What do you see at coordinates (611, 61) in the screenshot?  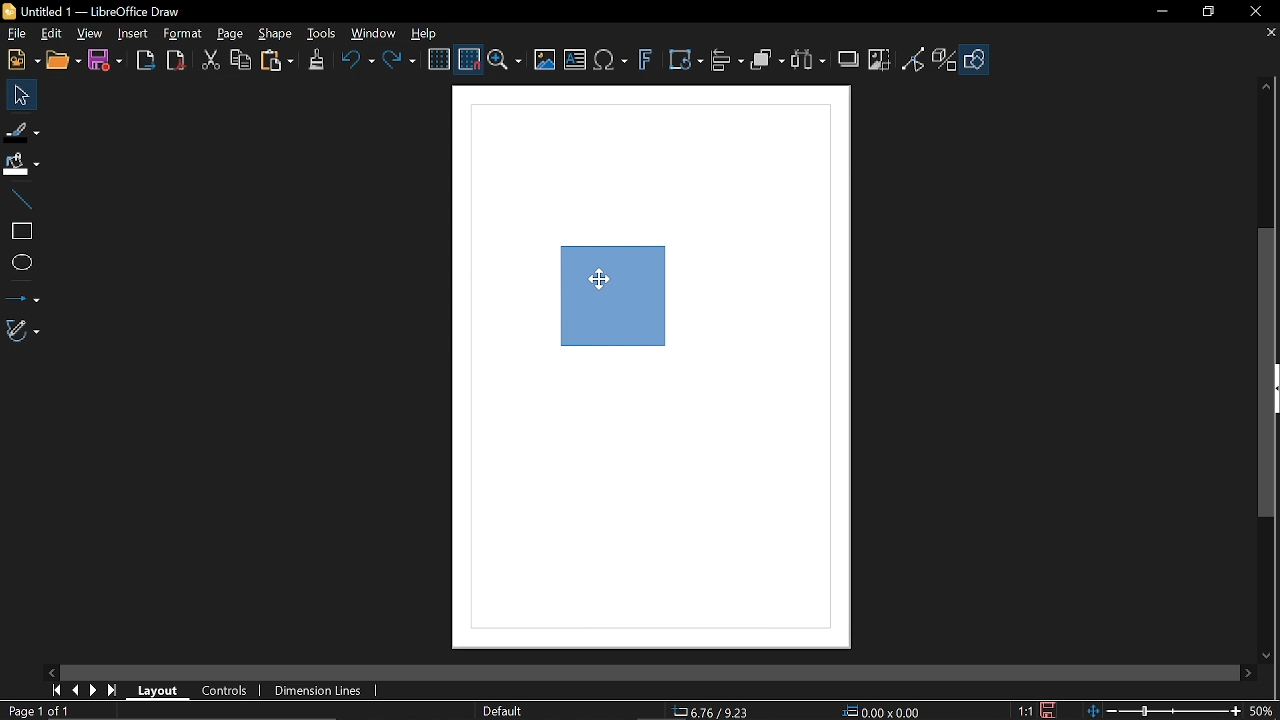 I see `Insert equation` at bounding box center [611, 61].